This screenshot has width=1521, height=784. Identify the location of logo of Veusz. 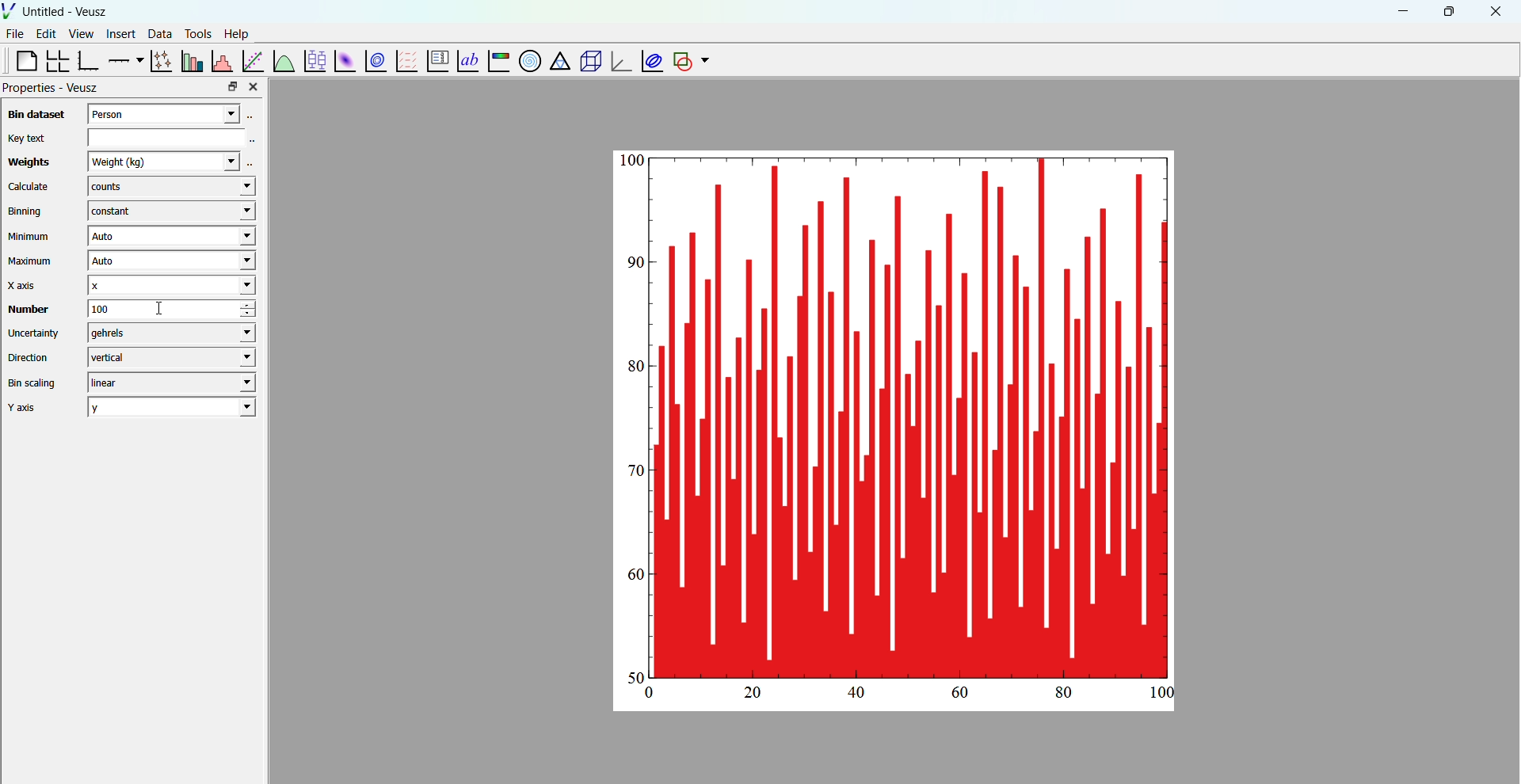
(10, 10).